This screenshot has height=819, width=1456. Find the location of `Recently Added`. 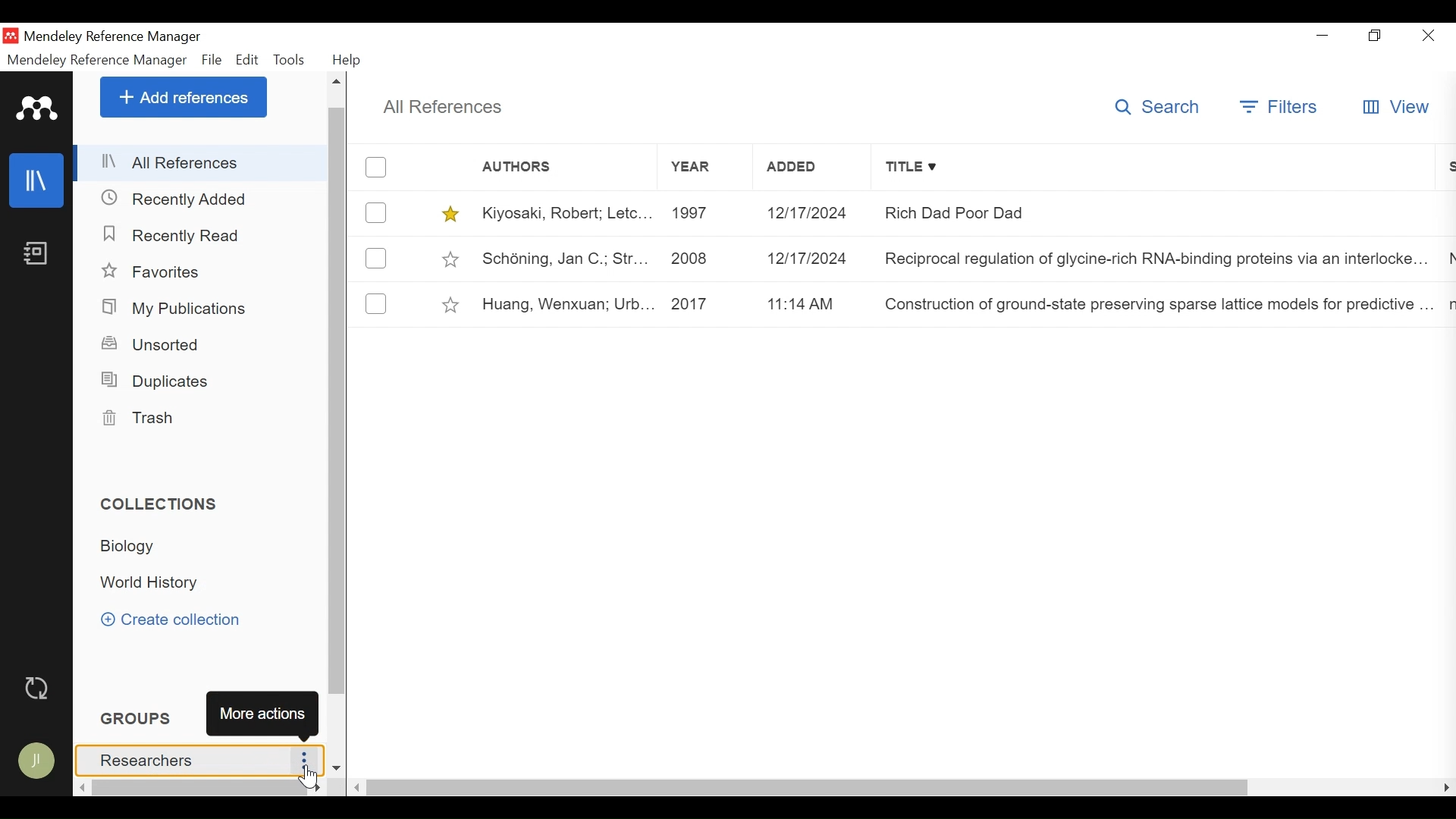

Recently Added is located at coordinates (177, 199).